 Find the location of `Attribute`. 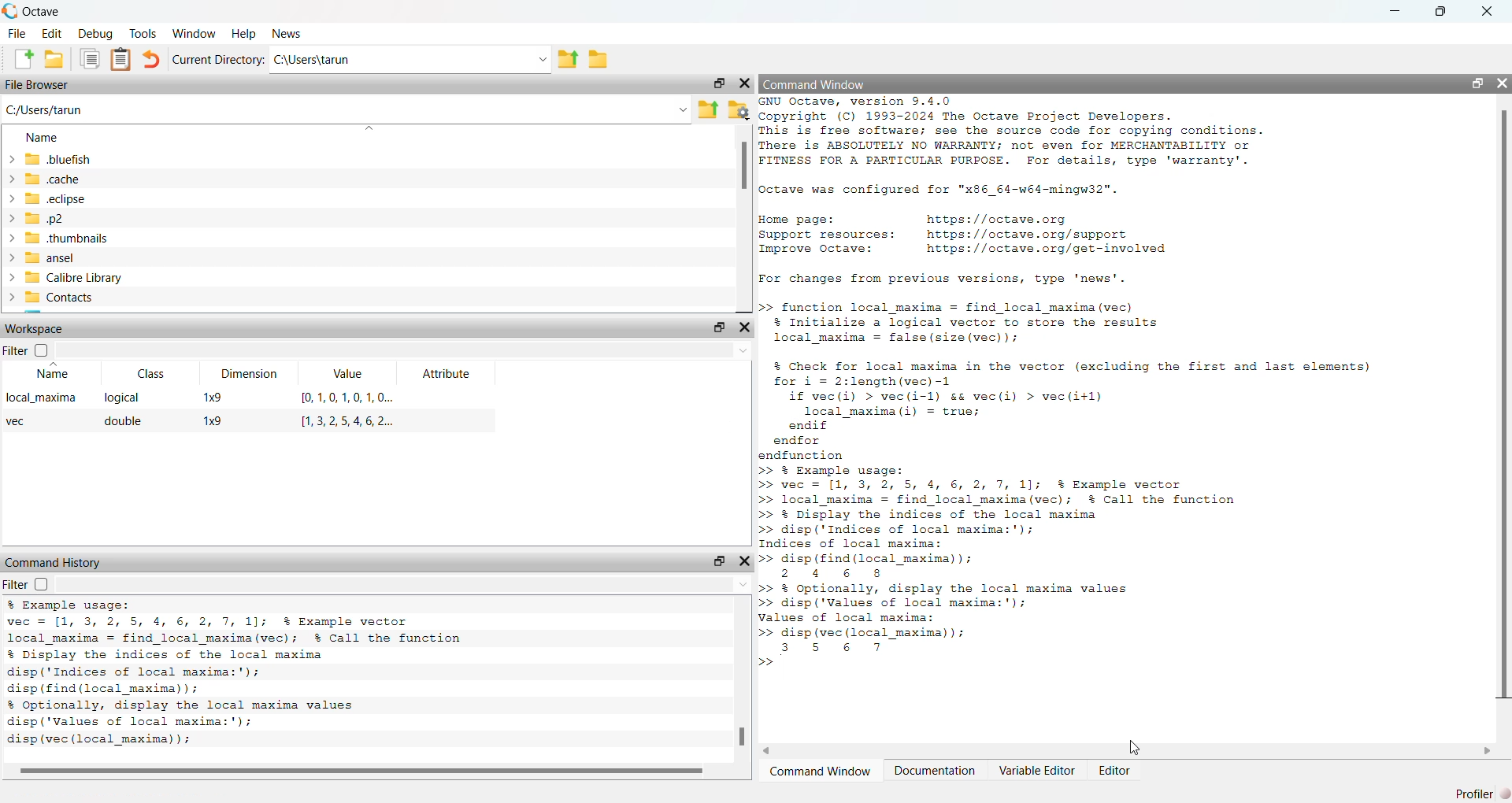

Attribute is located at coordinates (444, 375).